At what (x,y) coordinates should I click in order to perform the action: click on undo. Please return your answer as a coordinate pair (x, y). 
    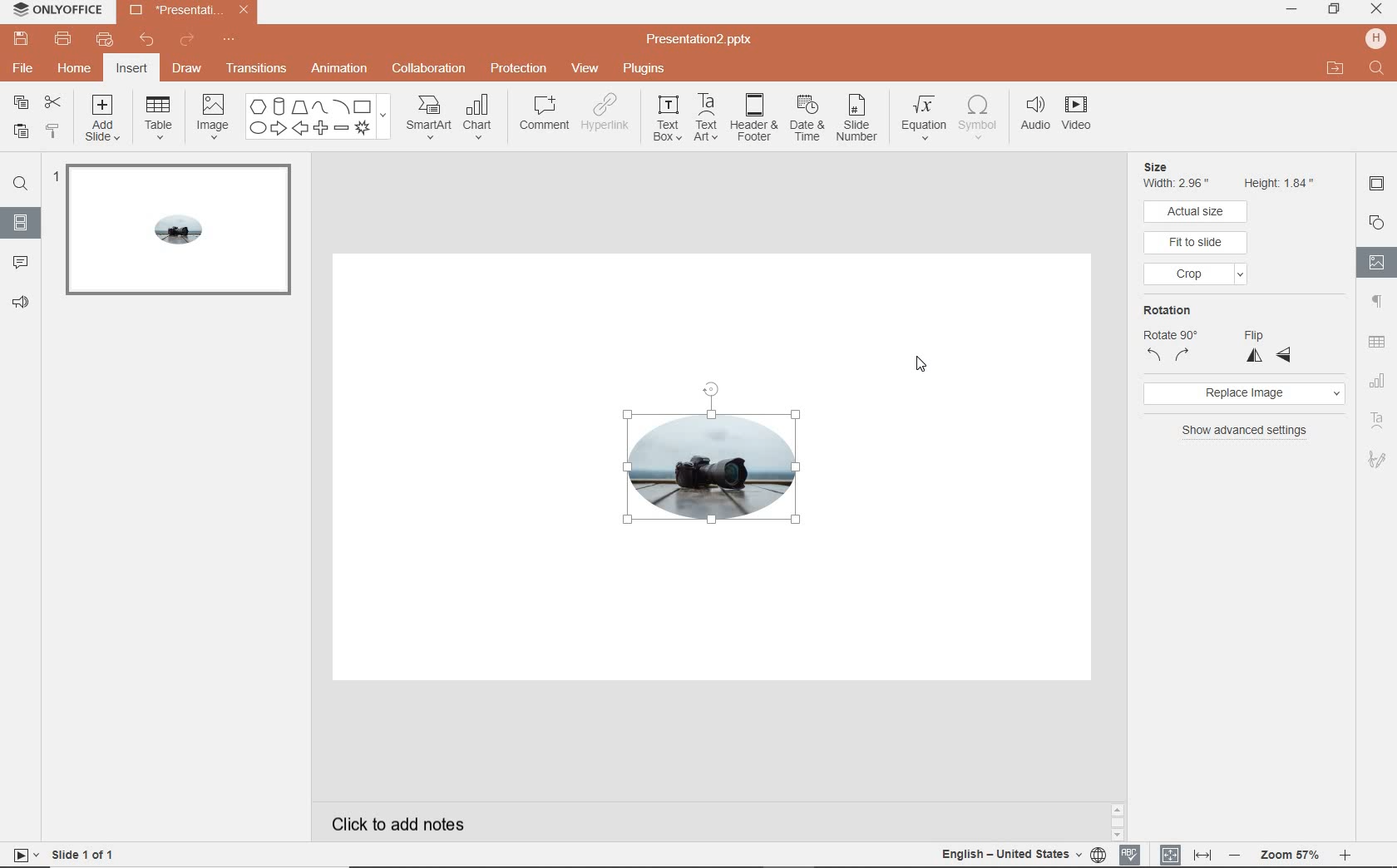
    Looking at the image, I should click on (147, 40).